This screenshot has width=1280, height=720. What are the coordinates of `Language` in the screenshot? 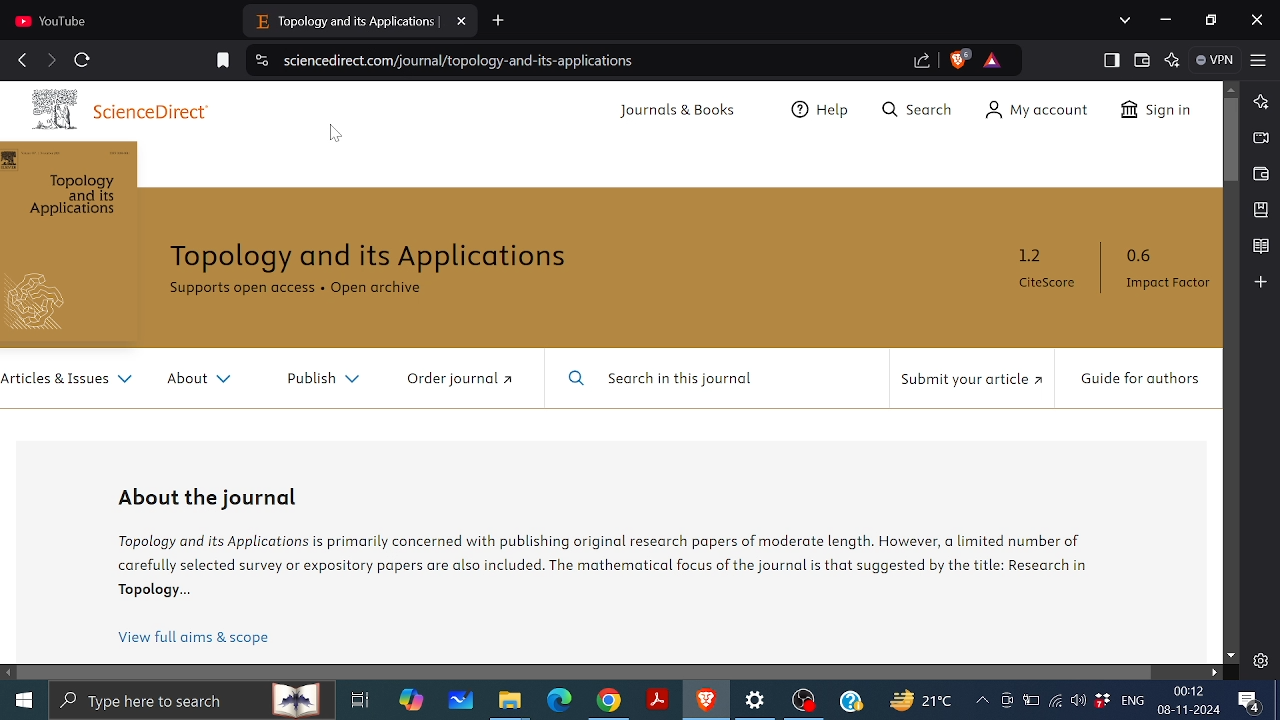 It's located at (1133, 699).